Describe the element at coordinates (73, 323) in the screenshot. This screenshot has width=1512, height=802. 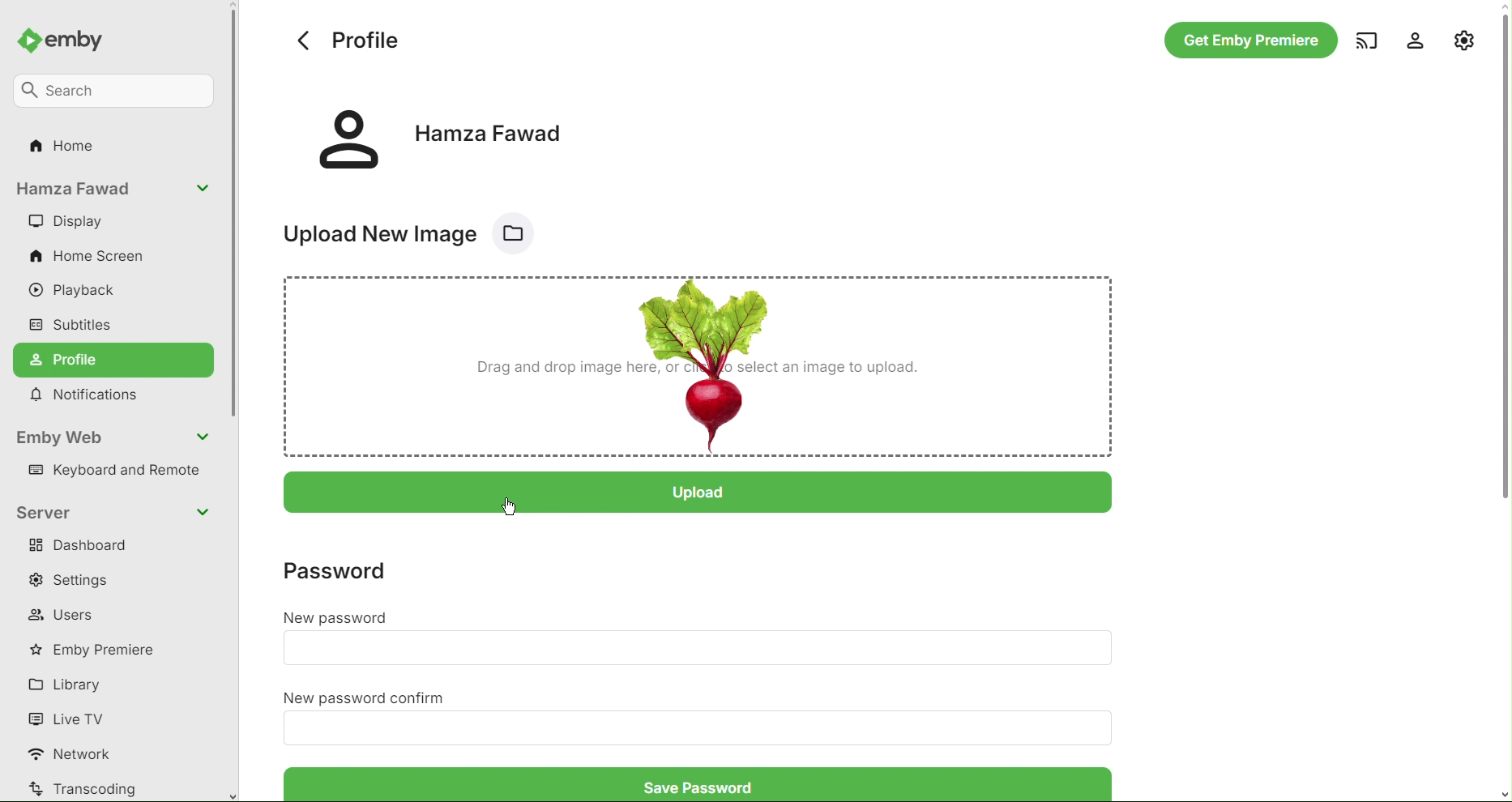
I see `Subtitles` at that location.